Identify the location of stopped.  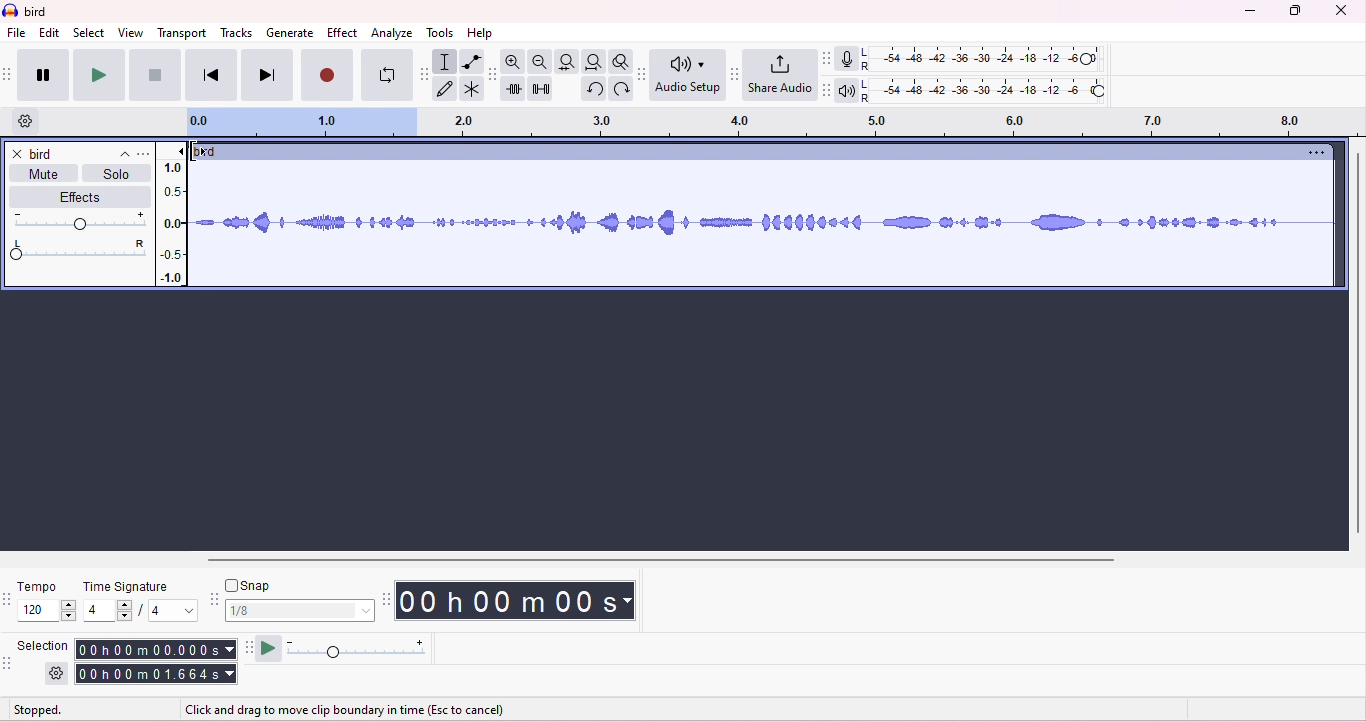
(39, 711).